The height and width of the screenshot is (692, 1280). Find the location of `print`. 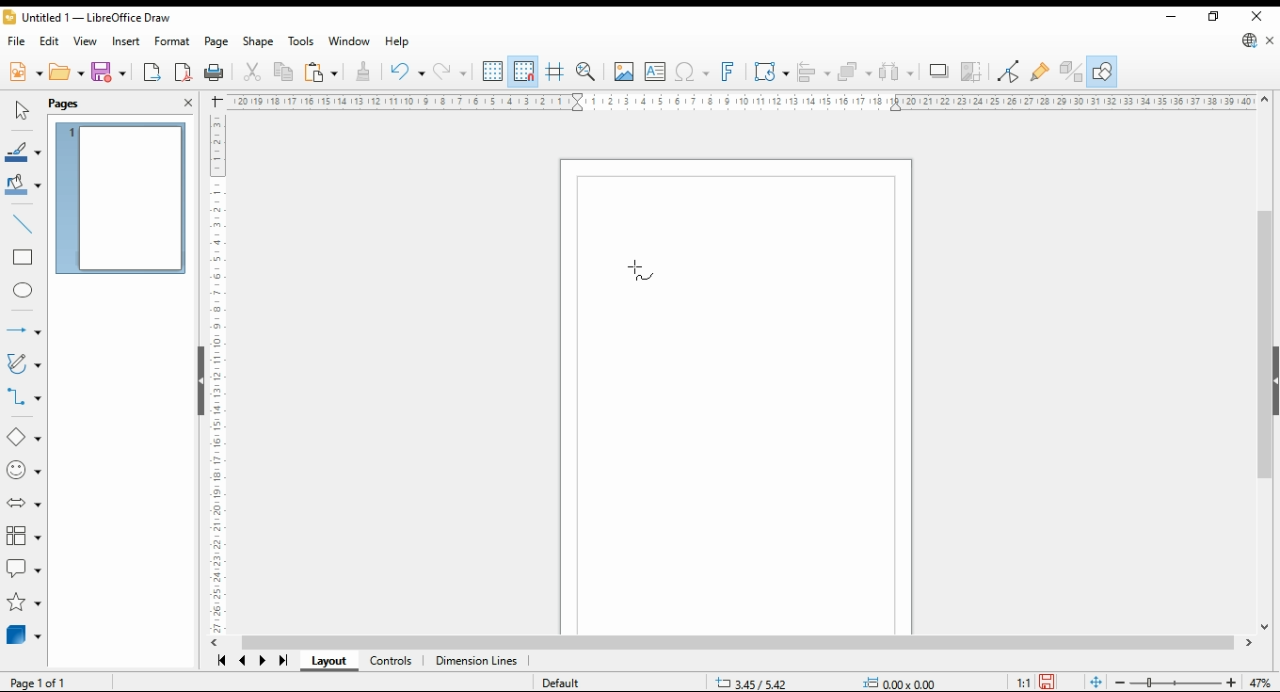

print is located at coordinates (216, 73).